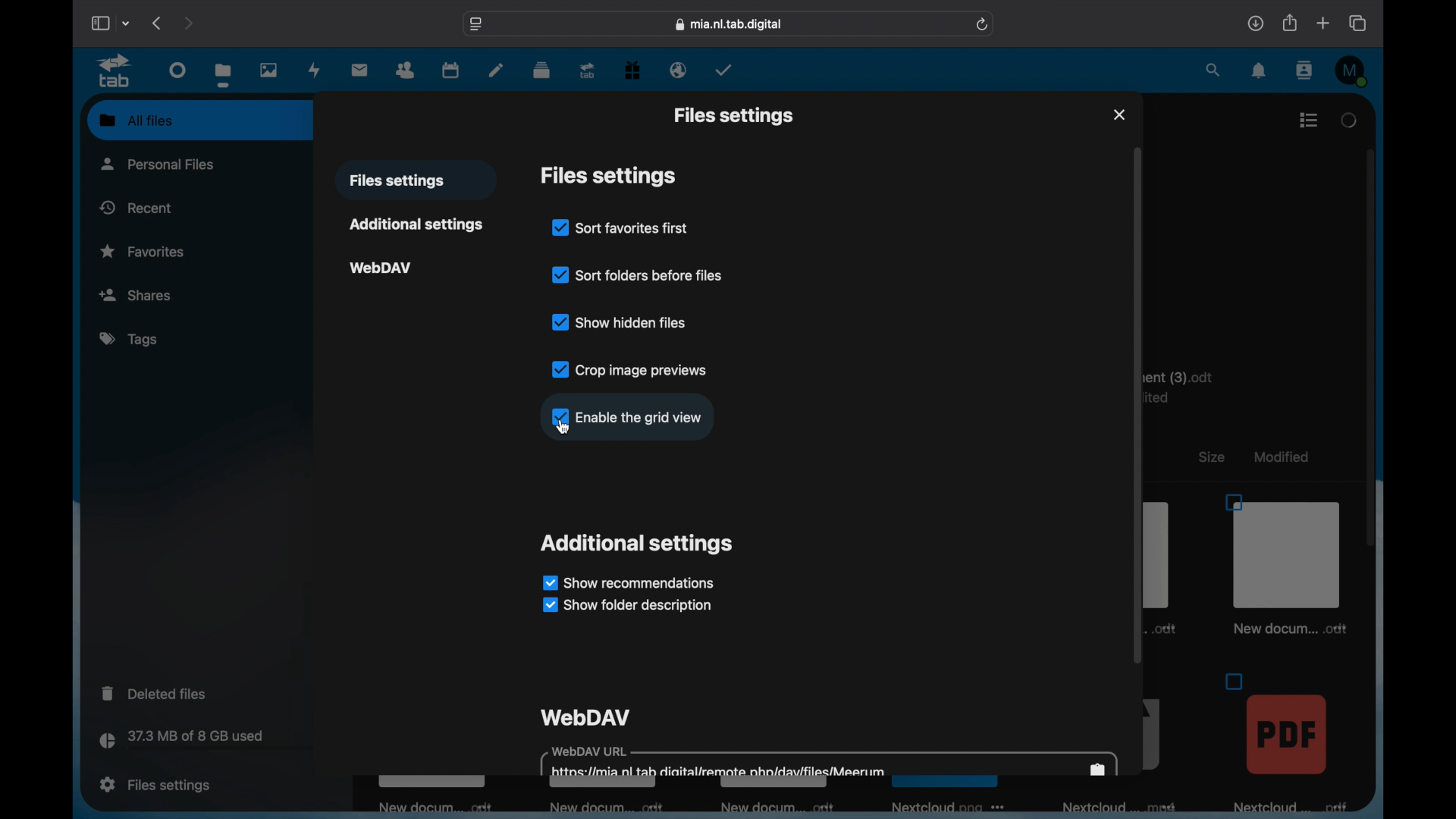 This screenshot has height=819, width=1456. What do you see at coordinates (723, 70) in the screenshot?
I see `tasks` at bounding box center [723, 70].